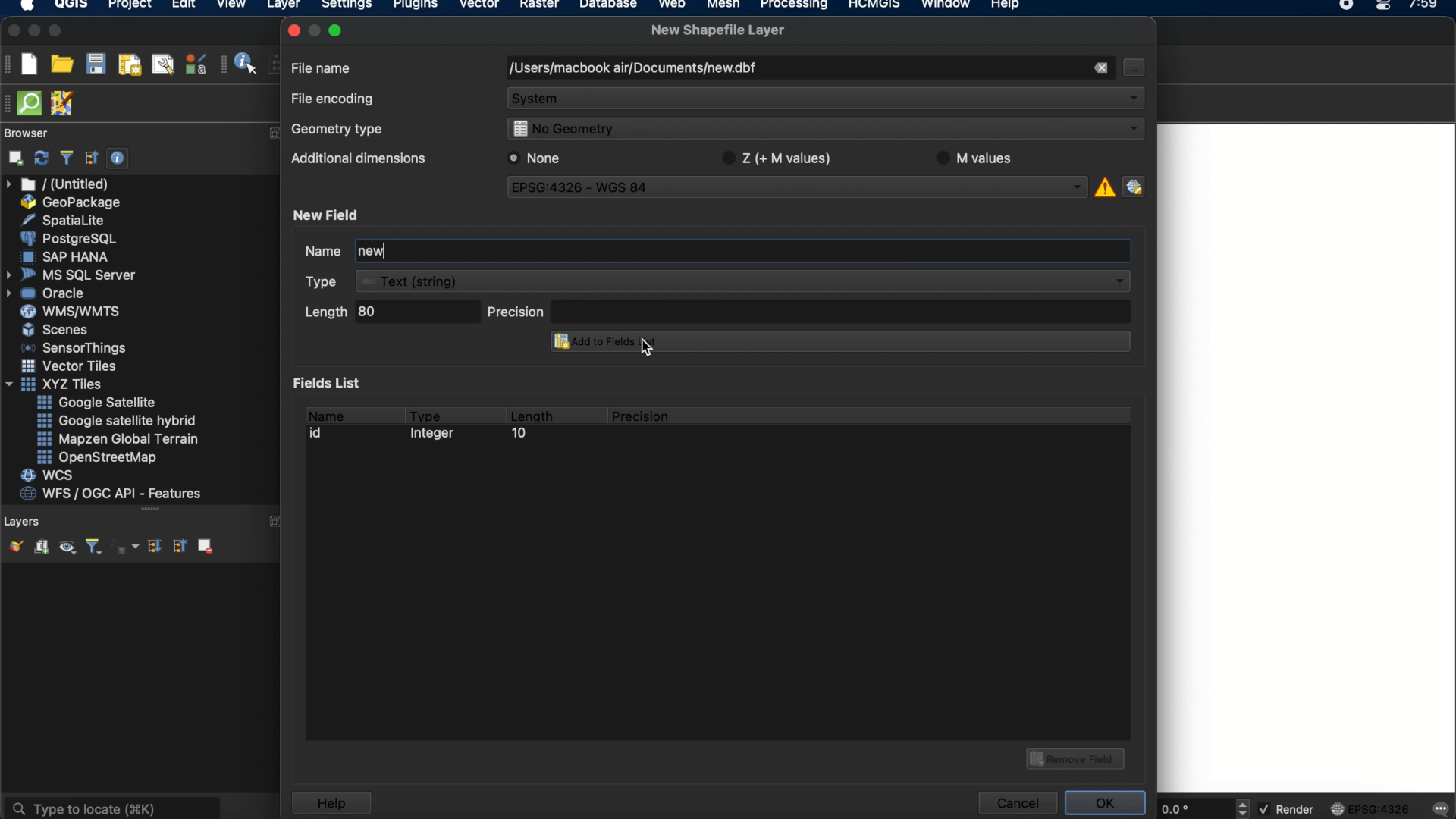  What do you see at coordinates (149, 510) in the screenshot?
I see `more` at bounding box center [149, 510].